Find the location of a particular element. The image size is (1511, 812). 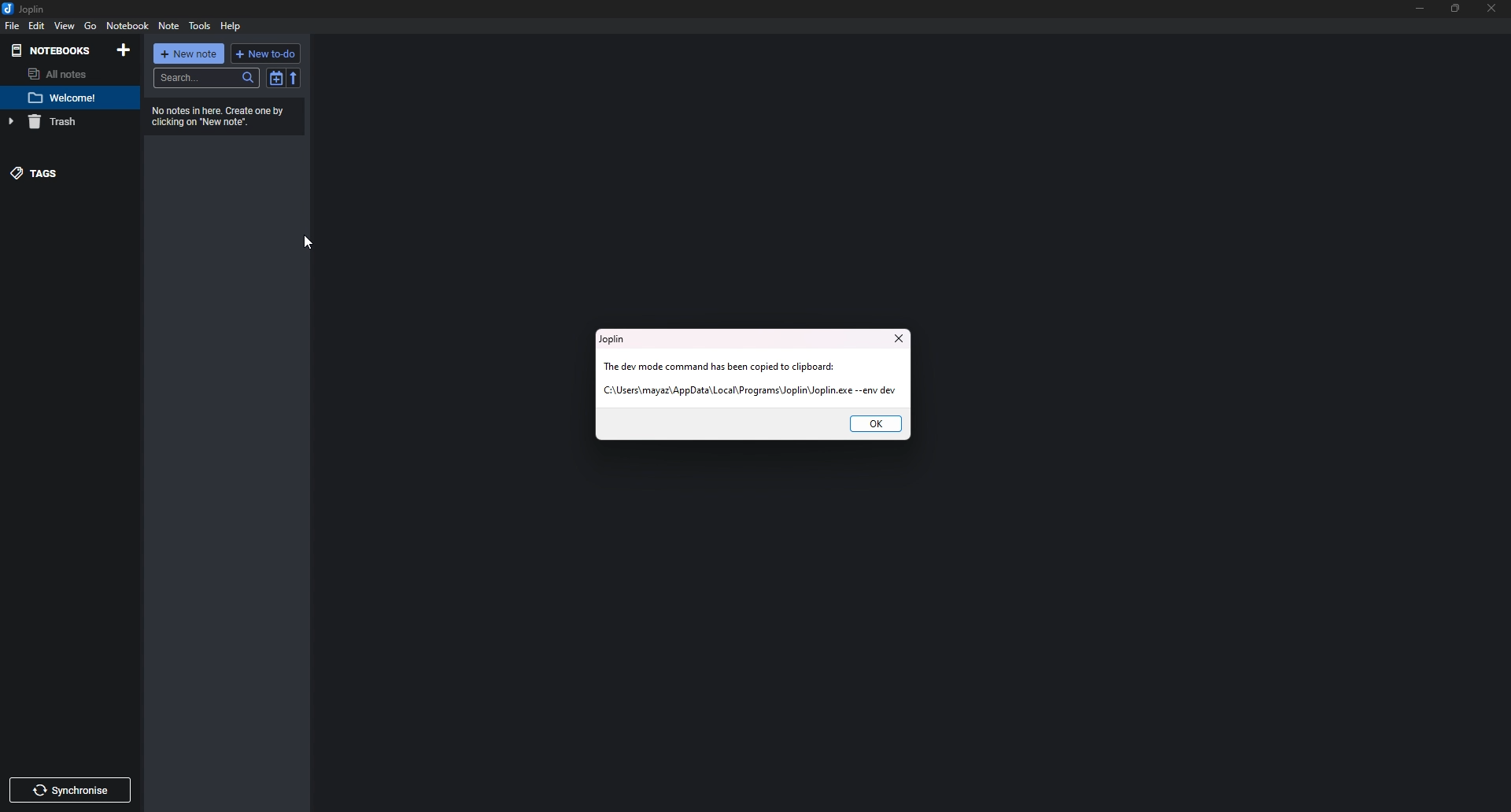

help is located at coordinates (231, 27).